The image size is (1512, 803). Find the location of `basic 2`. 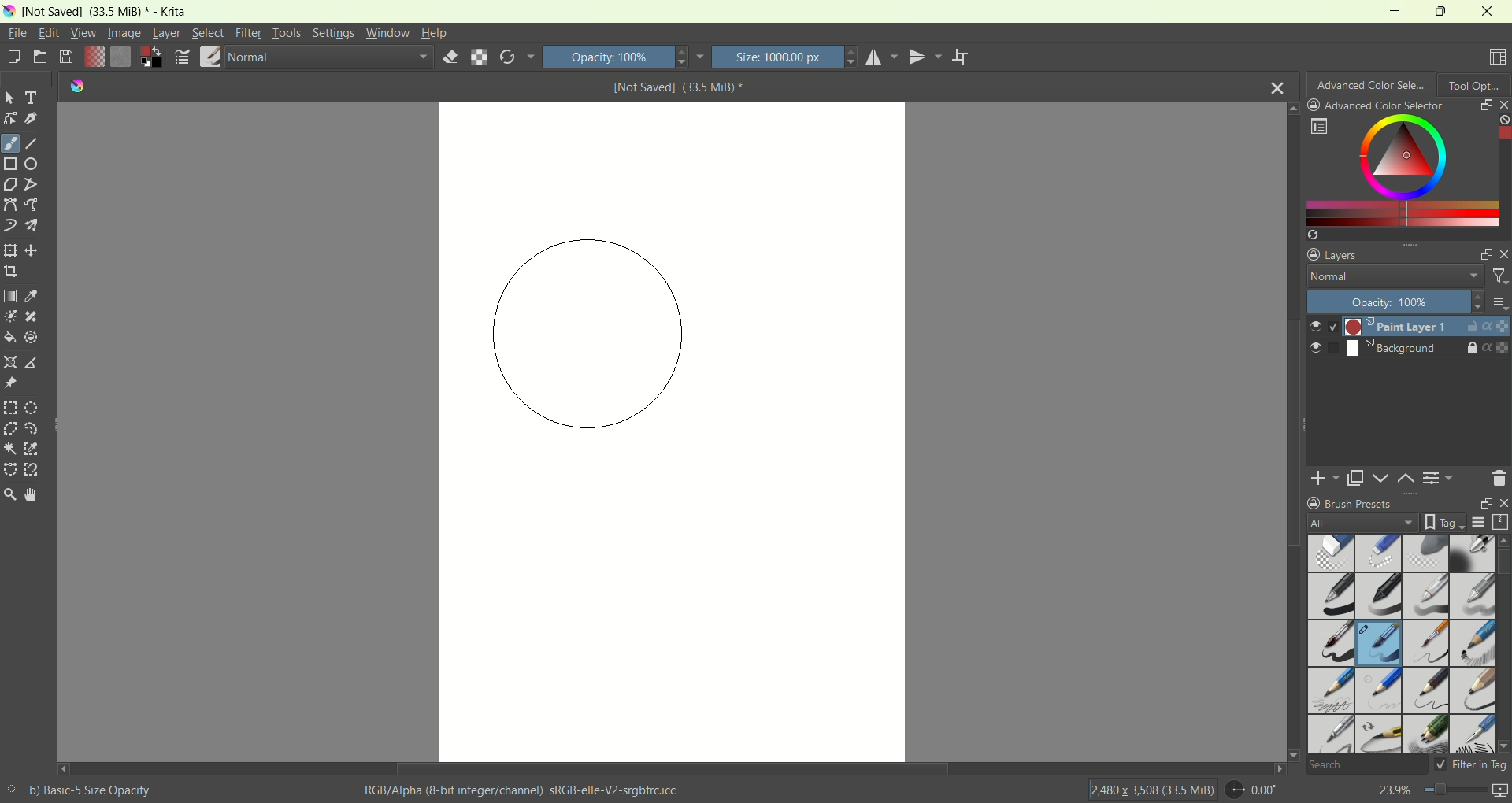

basic 2 is located at coordinates (1380, 596).